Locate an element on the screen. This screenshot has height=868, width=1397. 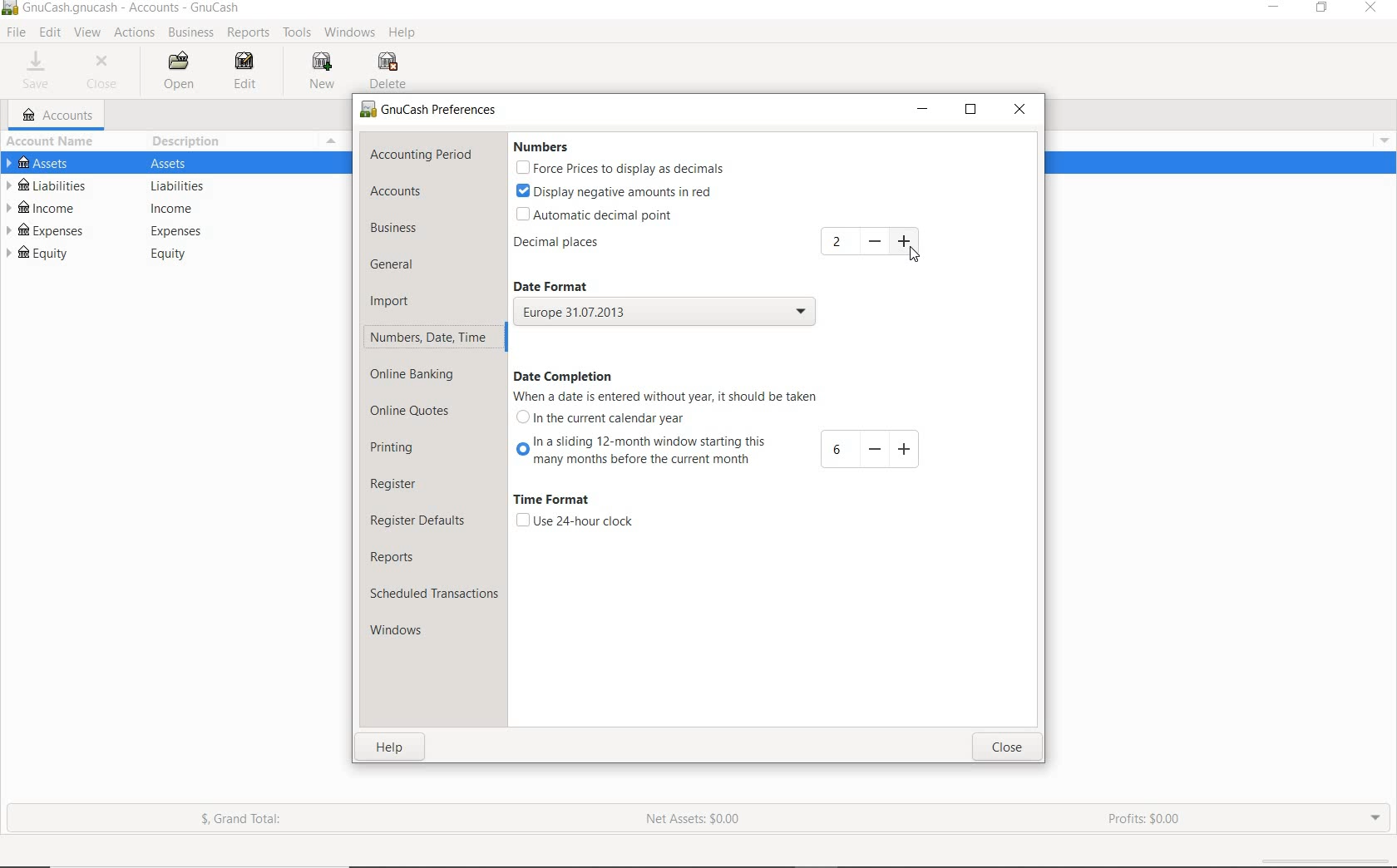
business is located at coordinates (398, 228).